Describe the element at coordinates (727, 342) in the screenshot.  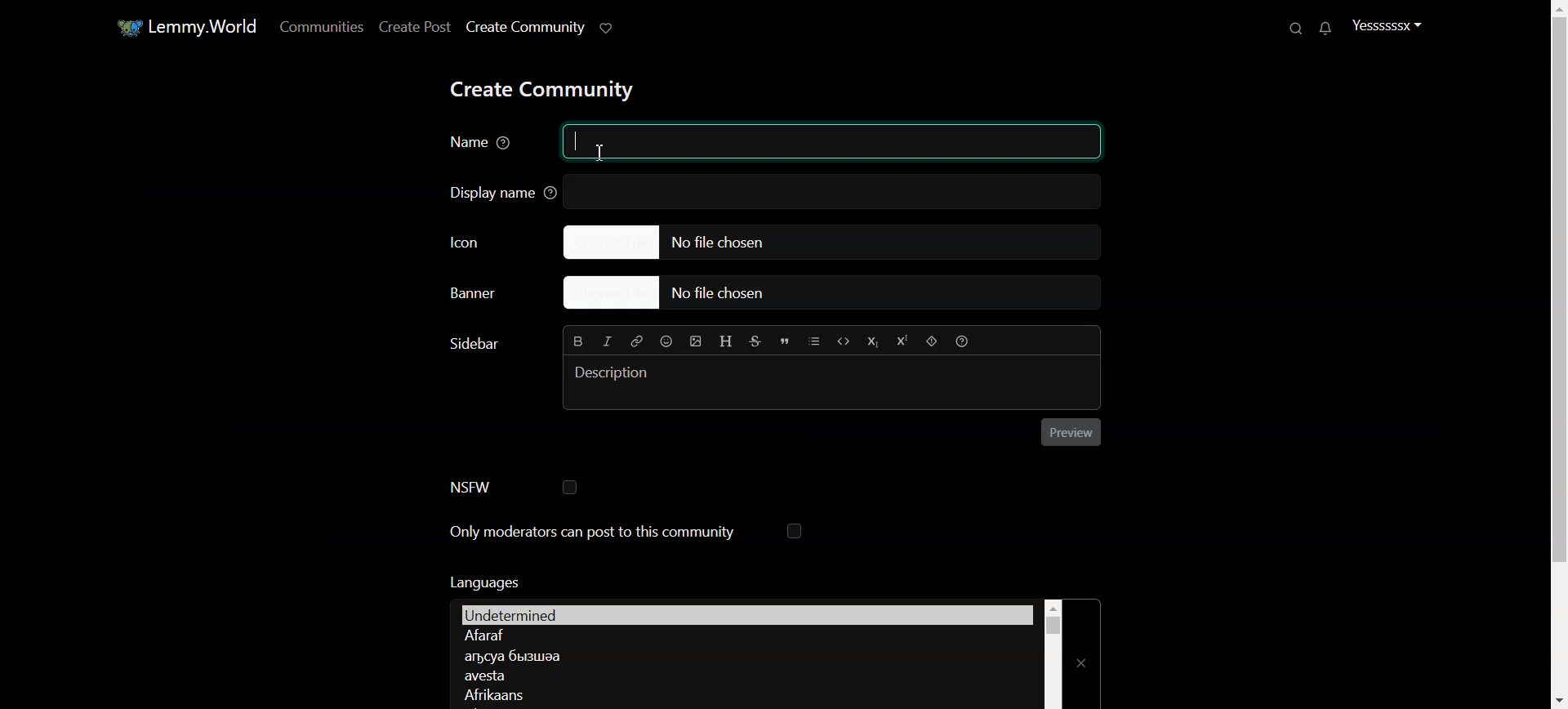
I see `Header` at that location.